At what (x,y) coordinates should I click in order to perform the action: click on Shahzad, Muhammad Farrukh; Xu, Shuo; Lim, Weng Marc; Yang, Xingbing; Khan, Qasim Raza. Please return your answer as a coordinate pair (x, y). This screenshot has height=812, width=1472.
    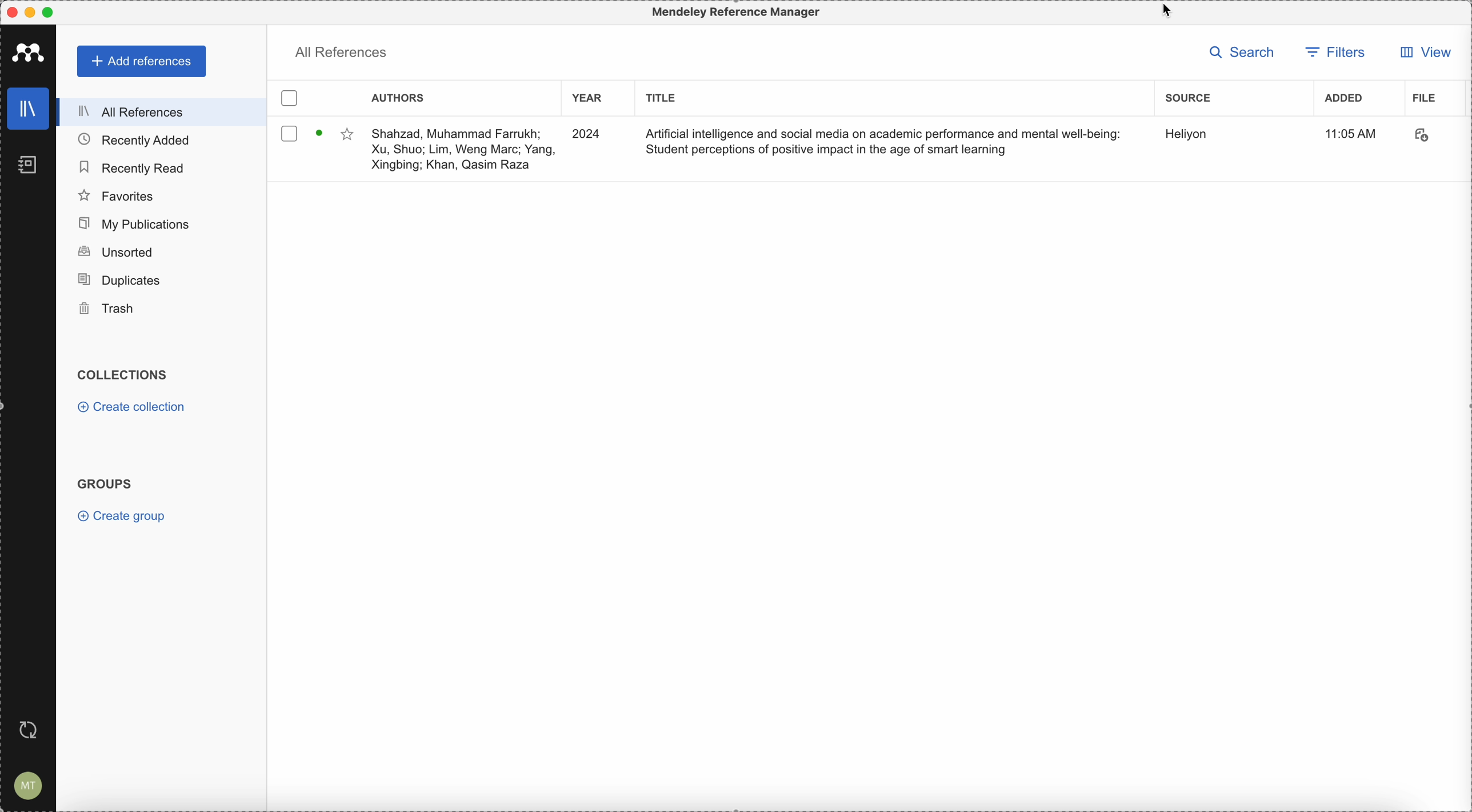
    Looking at the image, I should click on (463, 150).